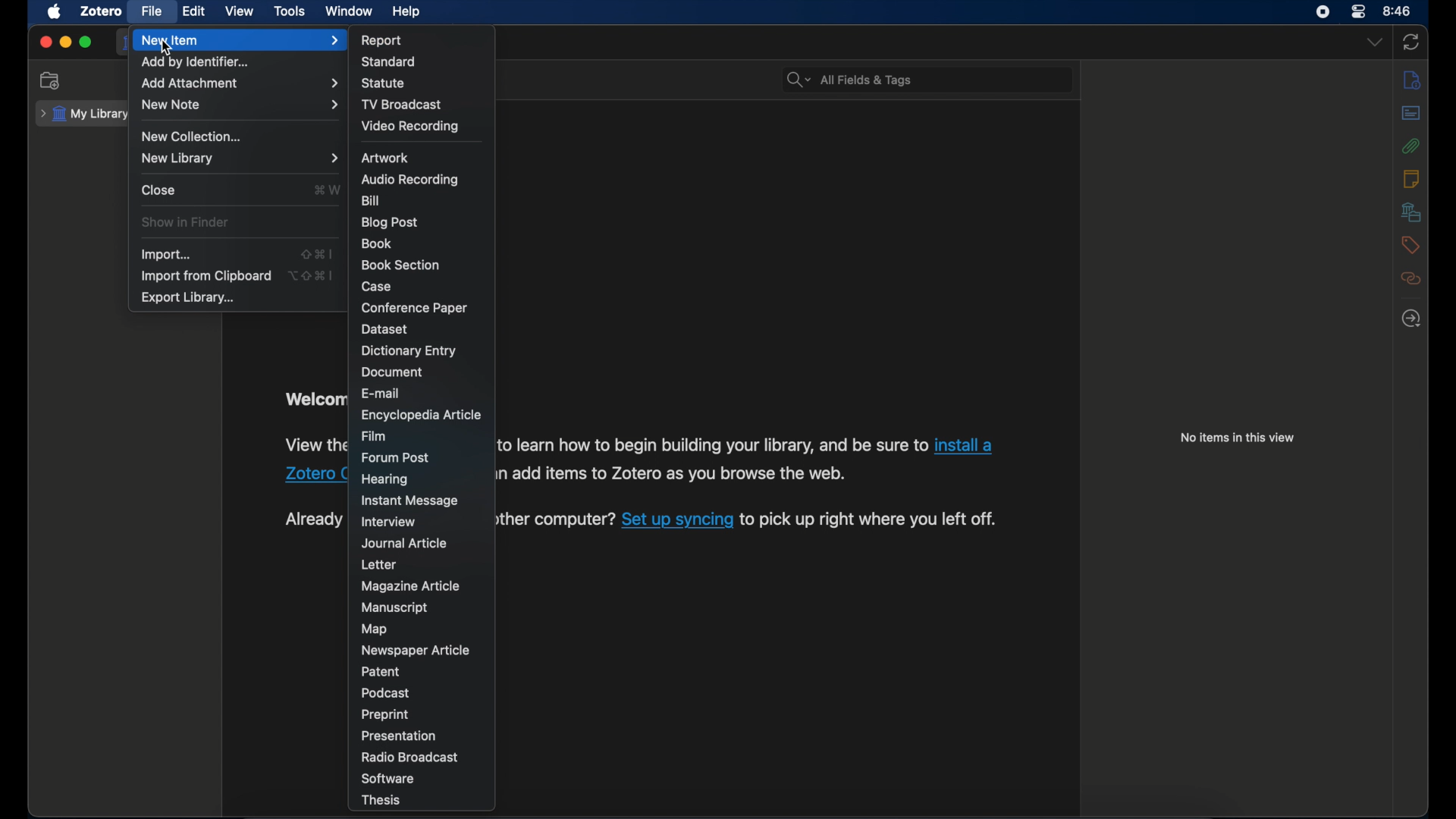  What do you see at coordinates (86, 42) in the screenshot?
I see `maximize` at bounding box center [86, 42].